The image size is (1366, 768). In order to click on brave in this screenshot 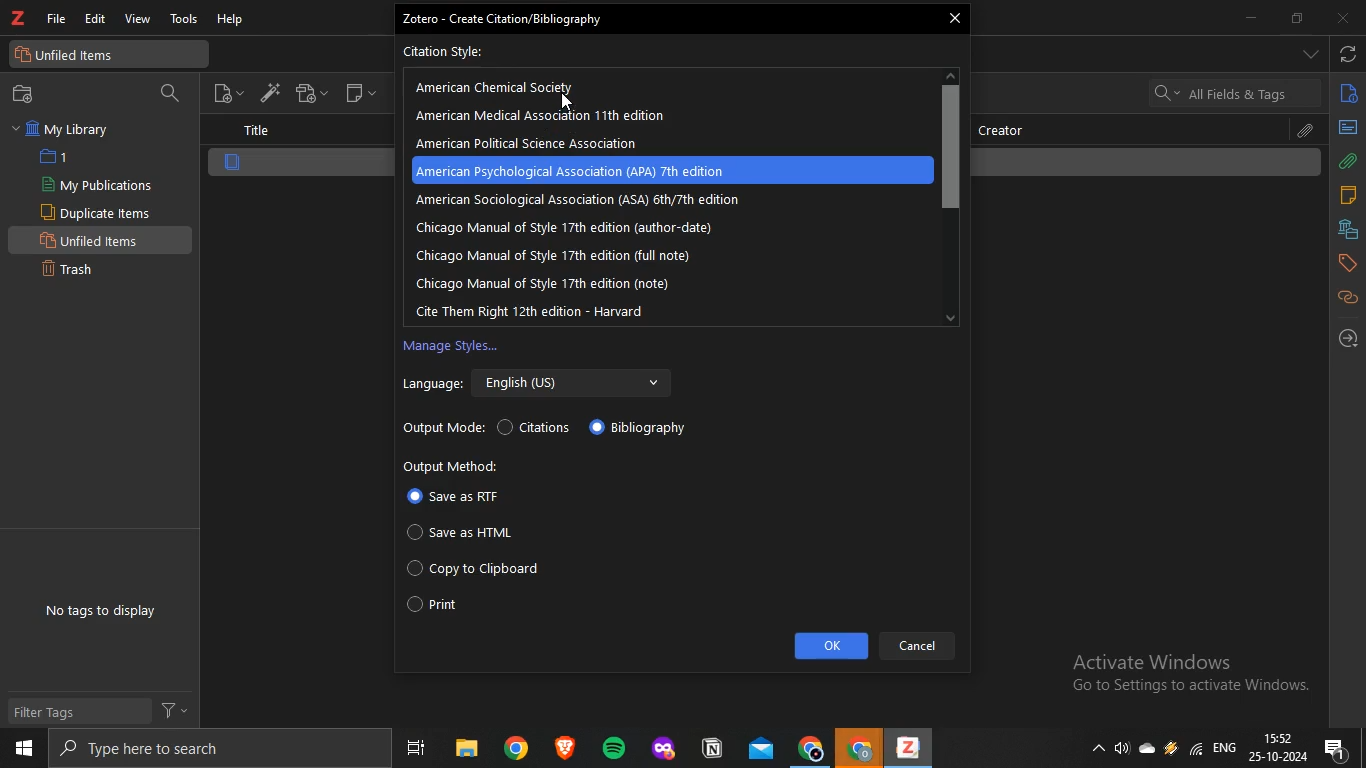, I will do `click(563, 747)`.